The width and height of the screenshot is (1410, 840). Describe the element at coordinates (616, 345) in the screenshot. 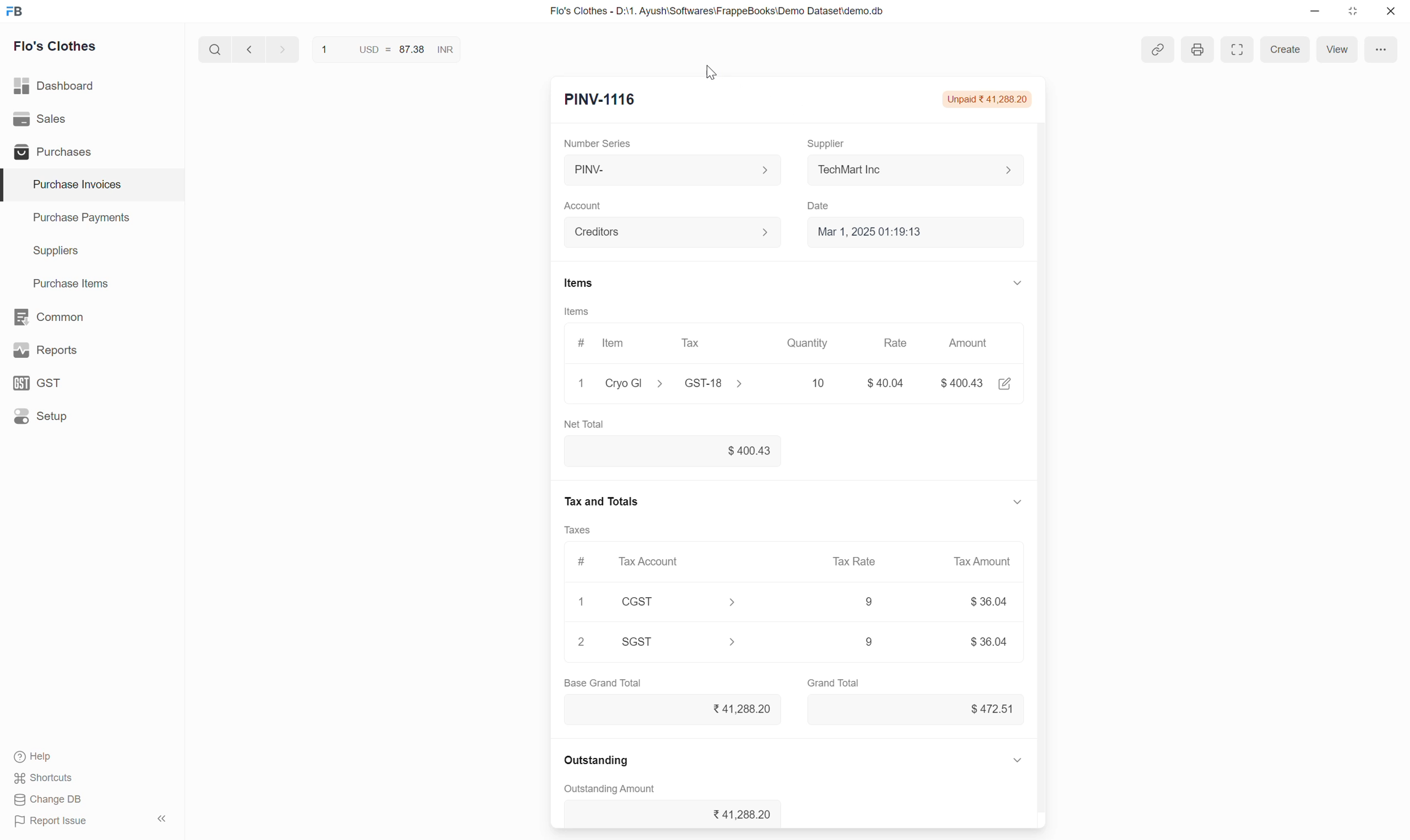

I see `ltem` at that location.